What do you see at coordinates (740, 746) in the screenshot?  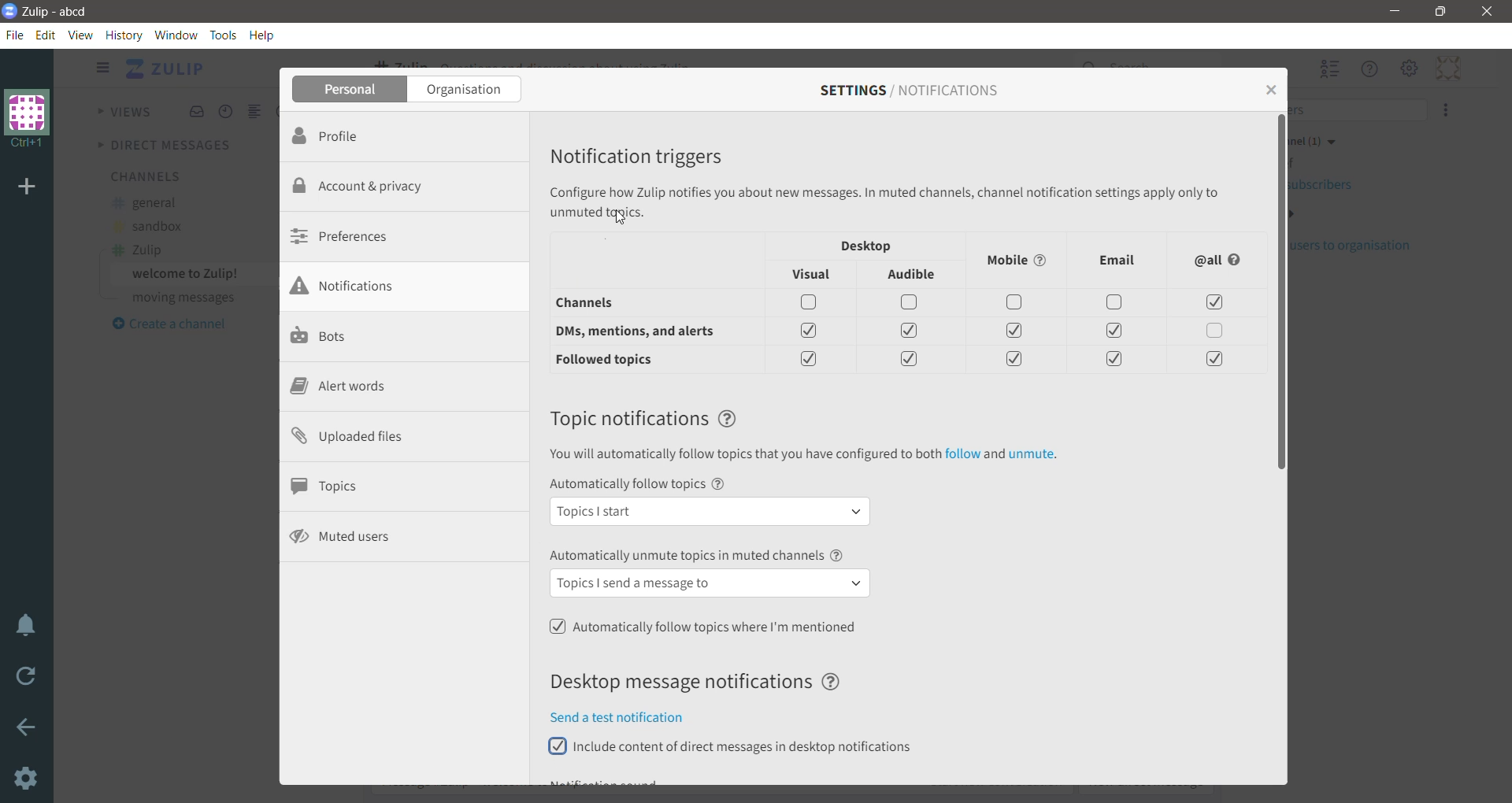 I see `(checkbox enabled)Include content of direct messages in desktop notifications ` at bounding box center [740, 746].